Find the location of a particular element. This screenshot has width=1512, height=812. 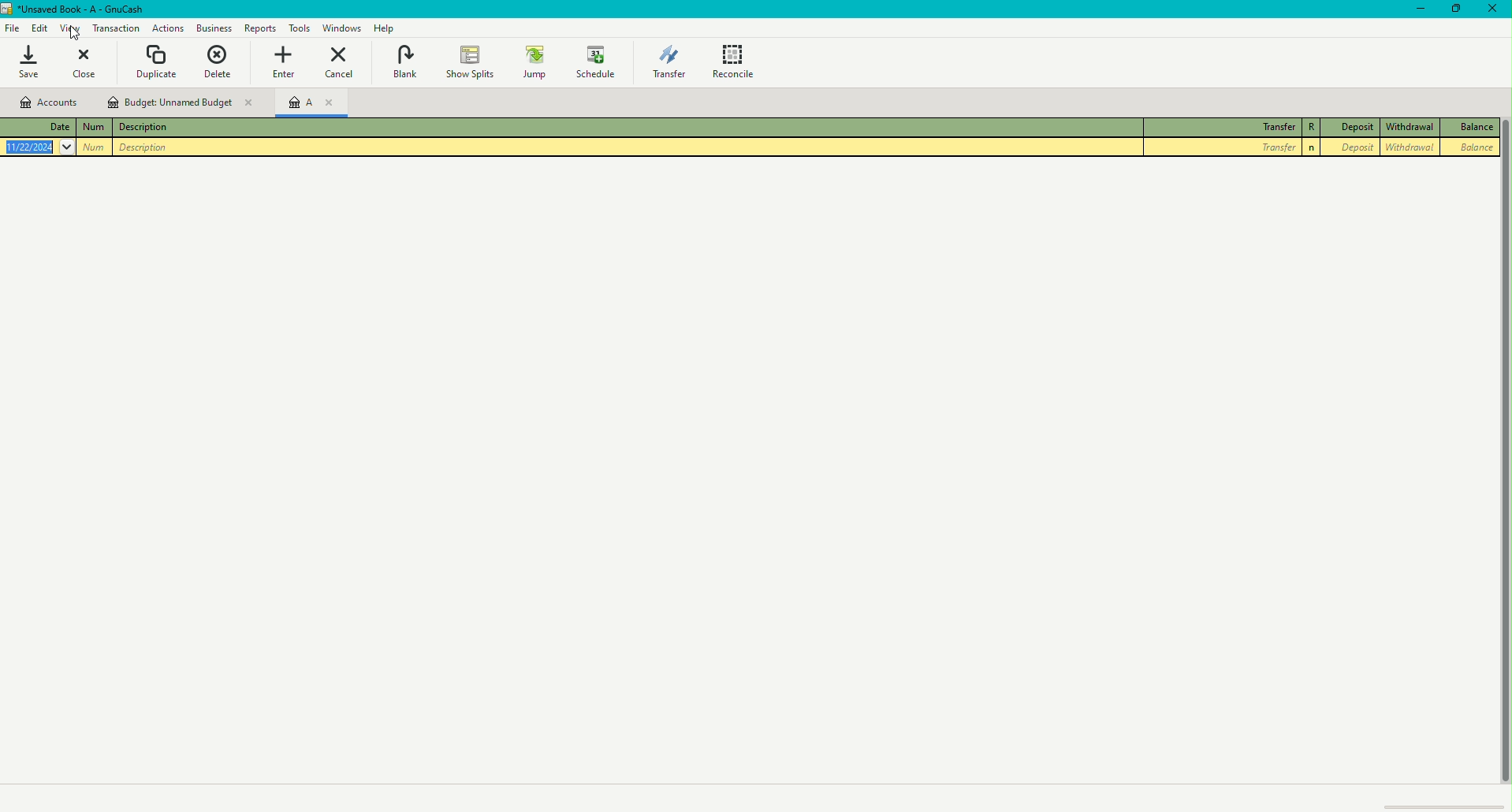

File is located at coordinates (12, 27).